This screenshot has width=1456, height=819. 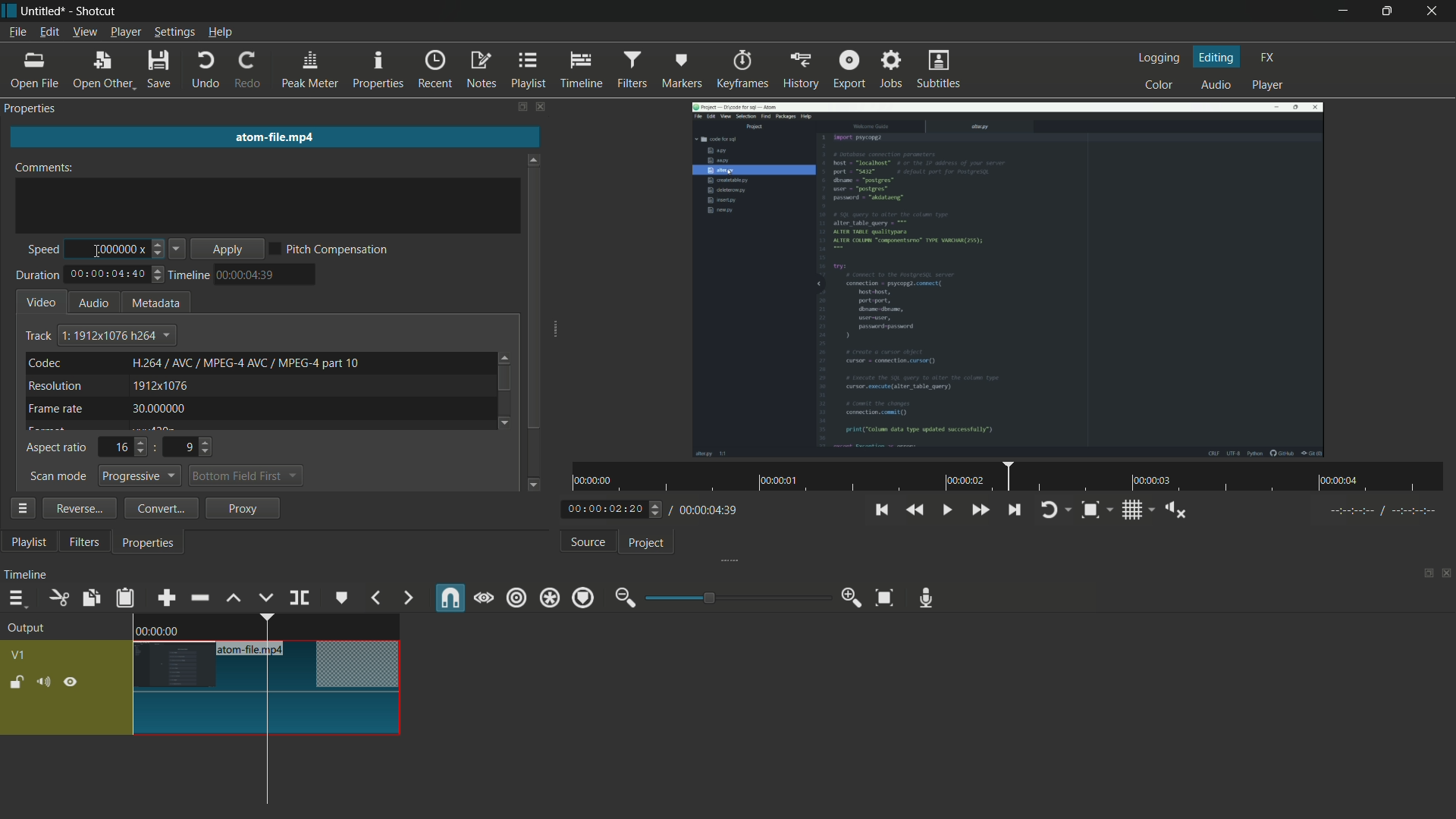 I want to click on overwrite, so click(x=265, y=598).